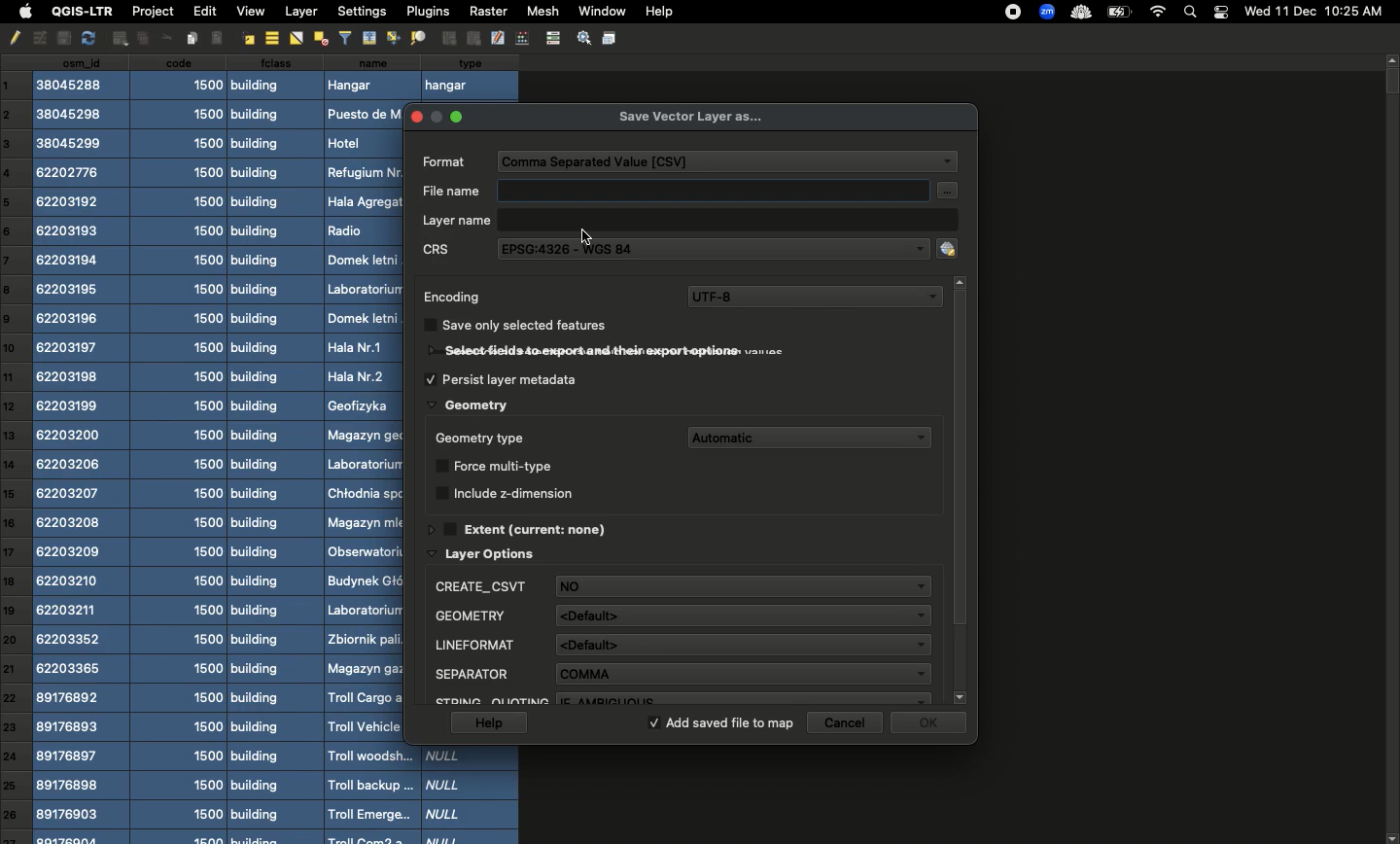  I want to click on Layer name, so click(686, 220).